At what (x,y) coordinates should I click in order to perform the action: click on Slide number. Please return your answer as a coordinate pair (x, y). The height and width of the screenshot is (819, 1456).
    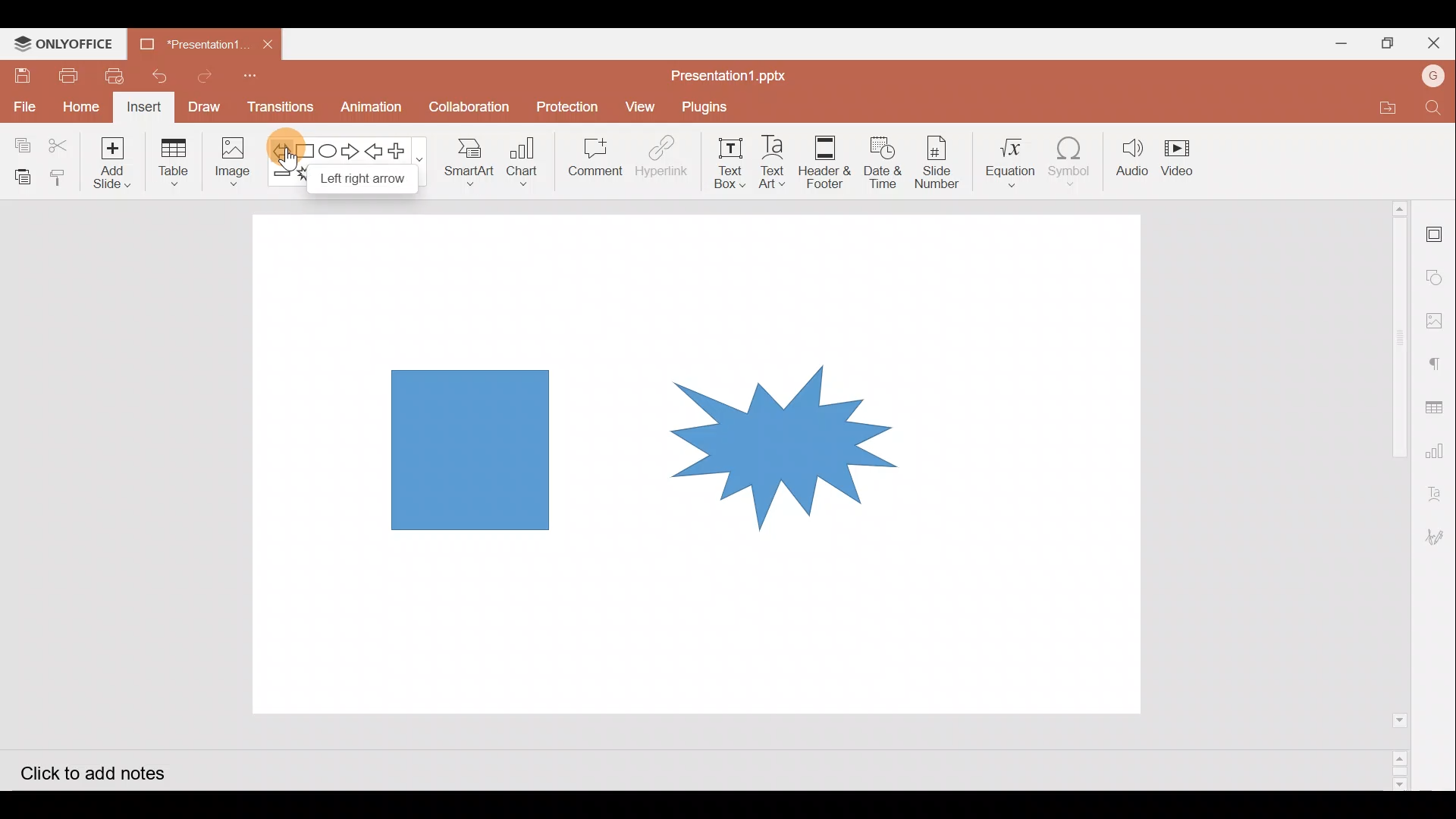
    Looking at the image, I should click on (938, 160).